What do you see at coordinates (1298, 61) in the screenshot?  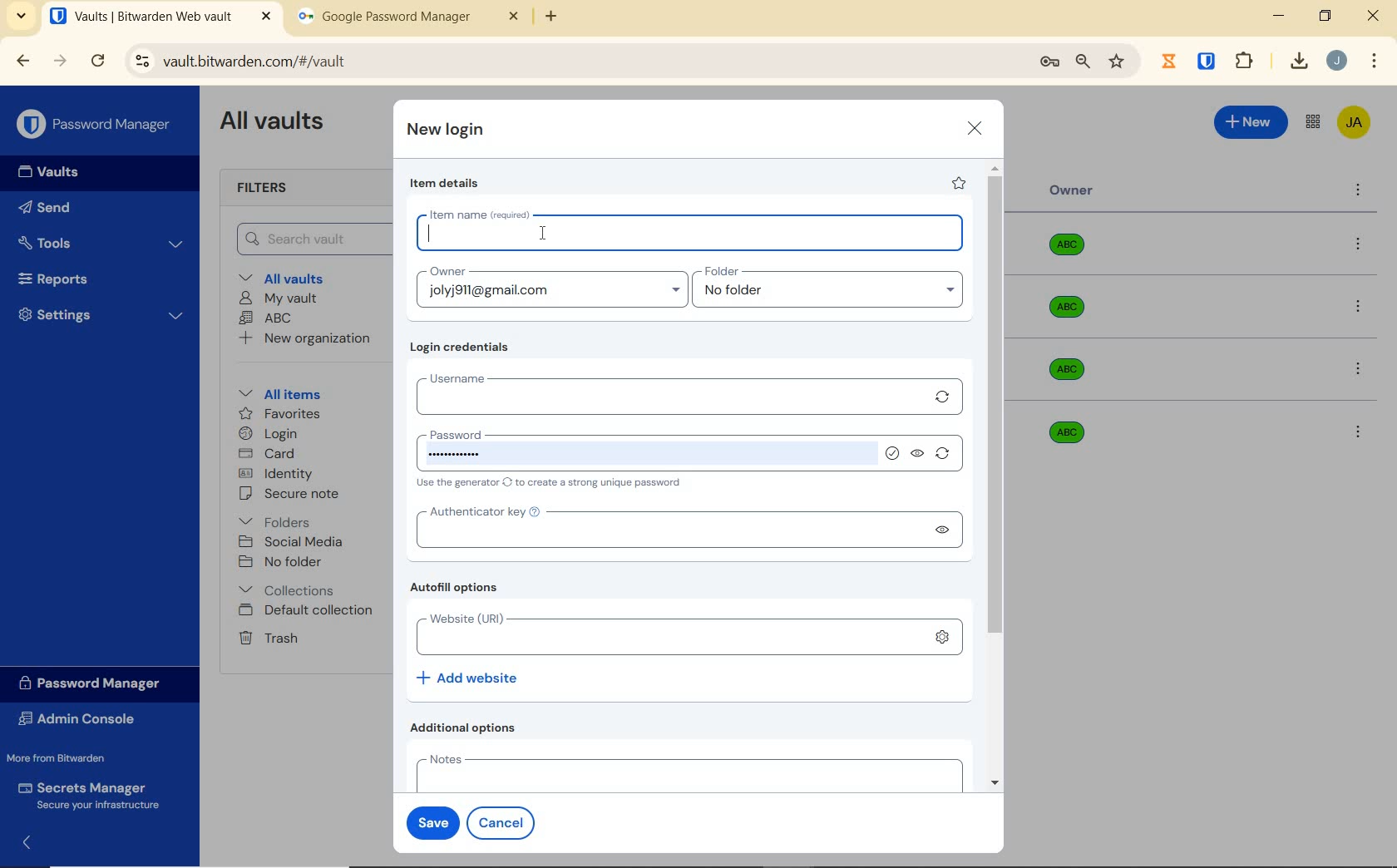 I see `download` at bounding box center [1298, 61].